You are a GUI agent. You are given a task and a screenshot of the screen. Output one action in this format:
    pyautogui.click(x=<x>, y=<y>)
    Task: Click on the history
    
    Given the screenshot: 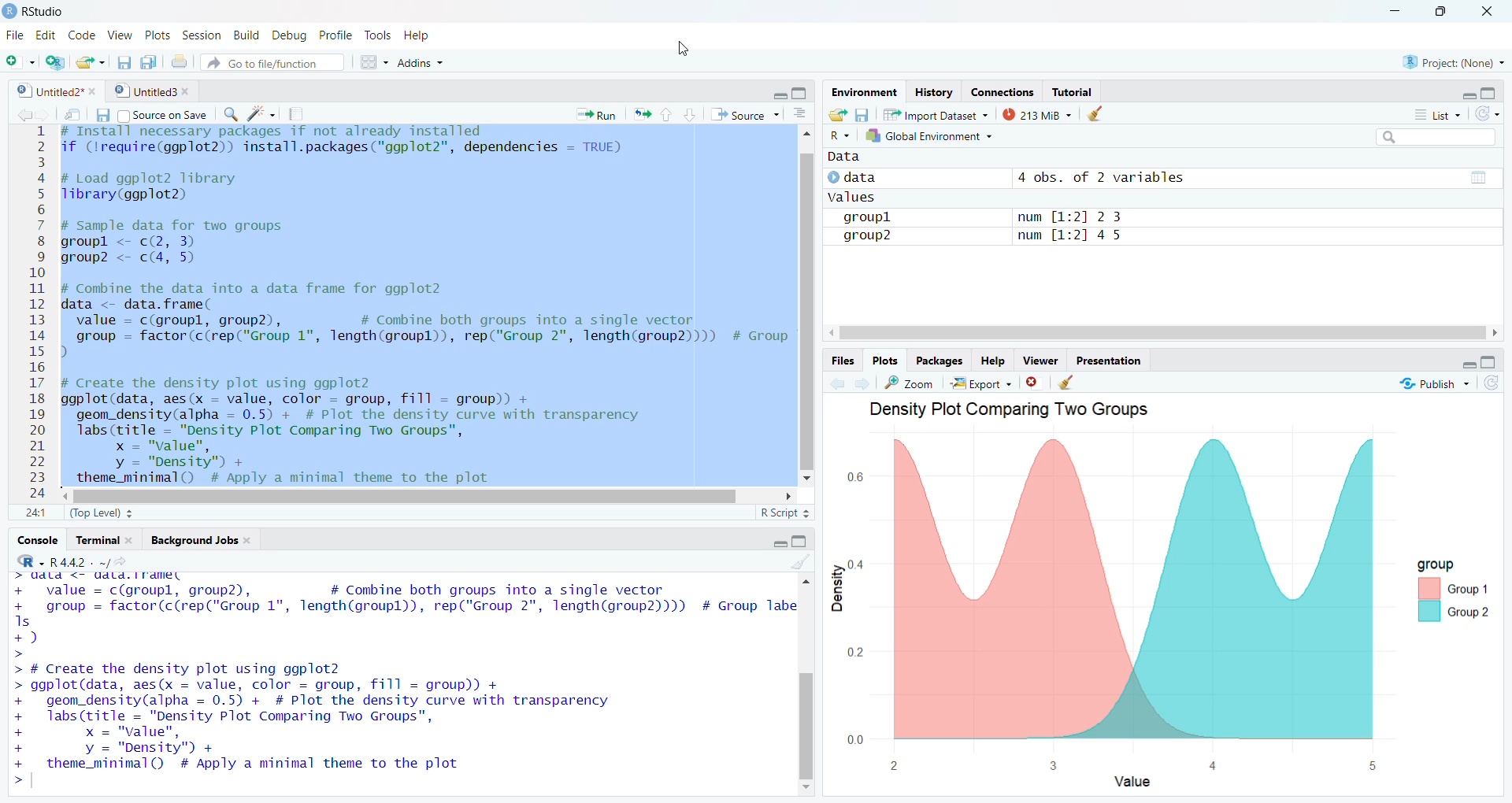 What is the action you would take?
    pyautogui.click(x=931, y=91)
    